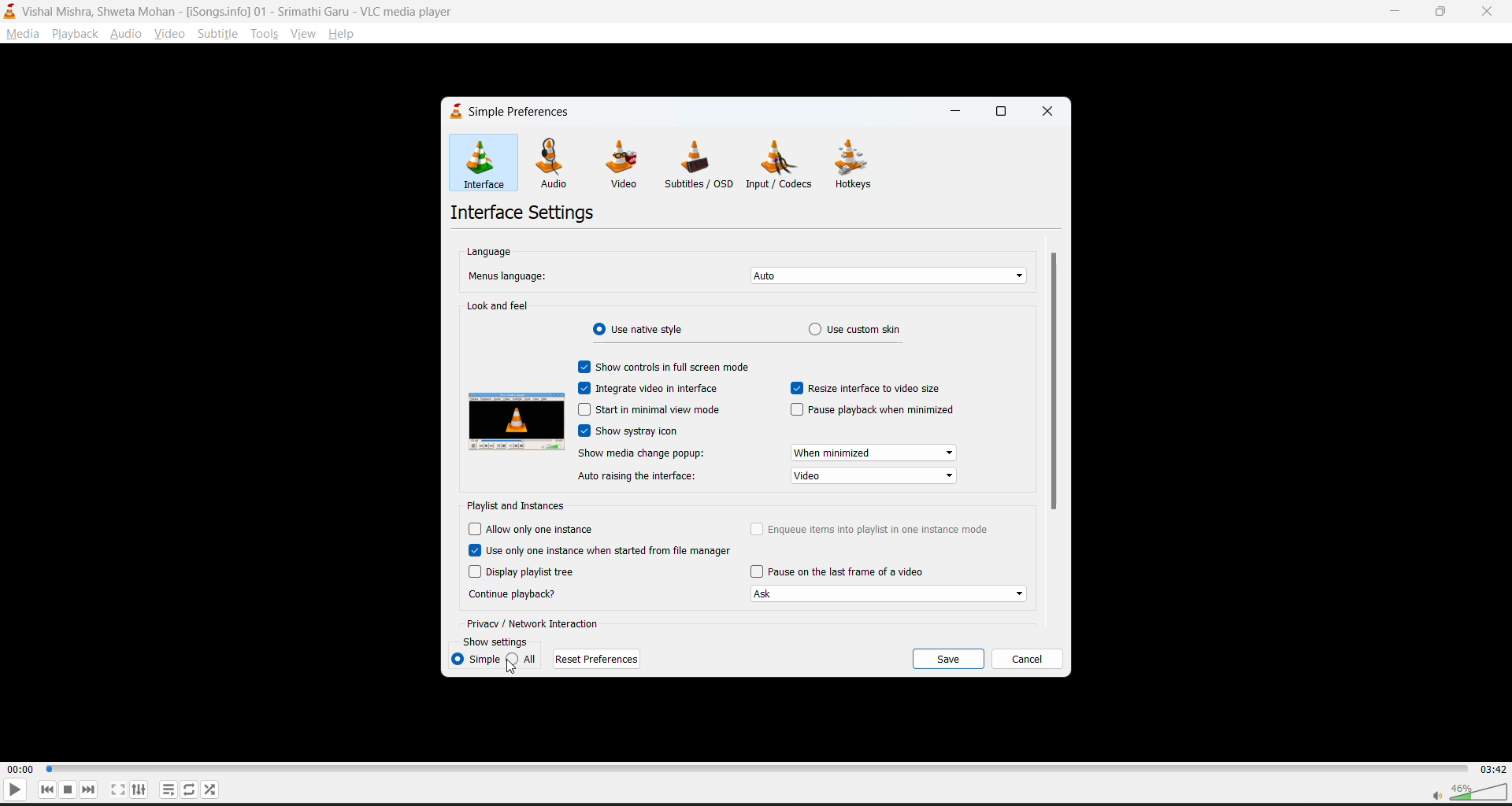  What do you see at coordinates (514, 505) in the screenshot?
I see `playlist and instance` at bounding box center [514, 505].